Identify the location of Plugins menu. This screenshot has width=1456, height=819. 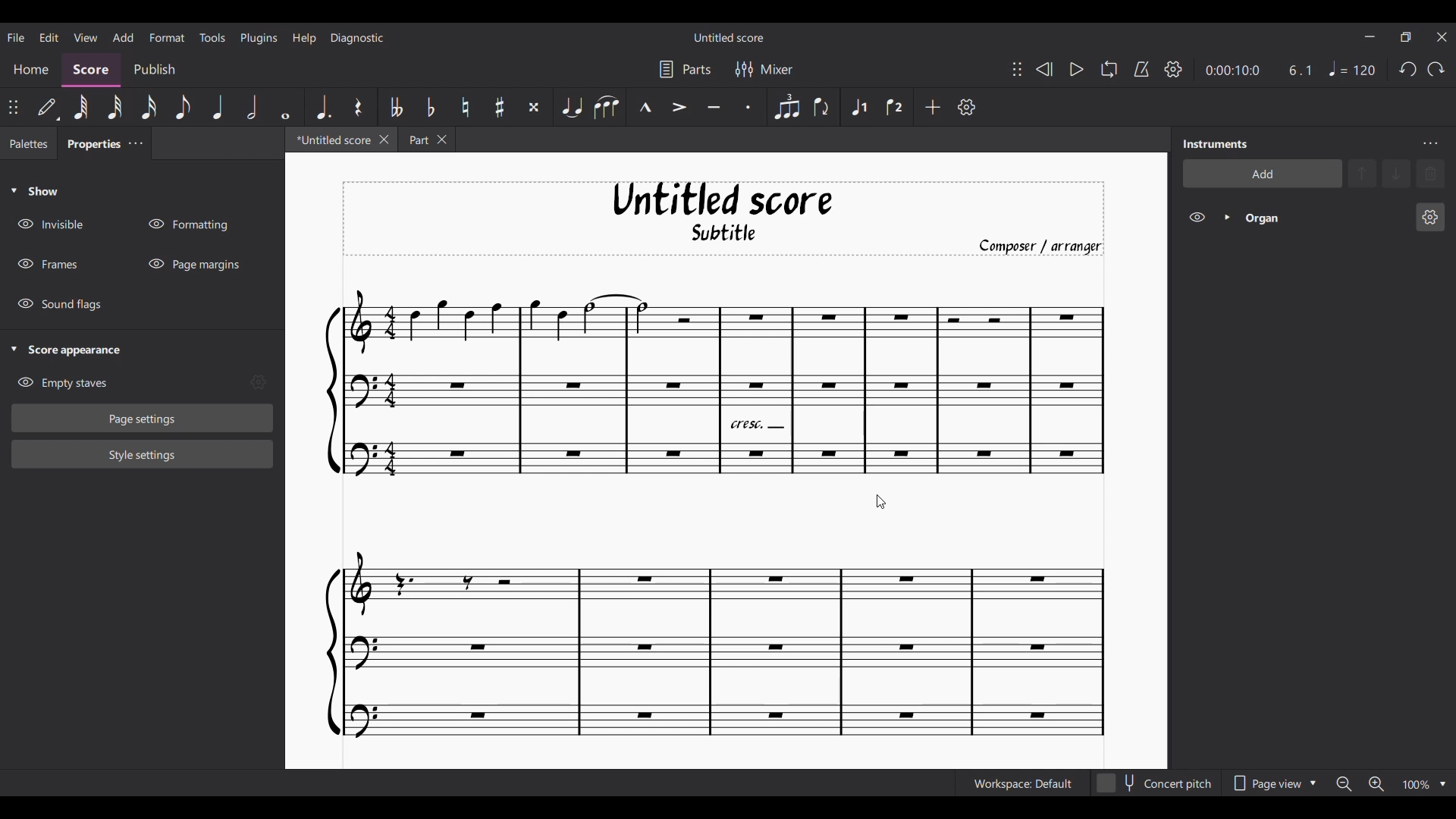
(259, 38).